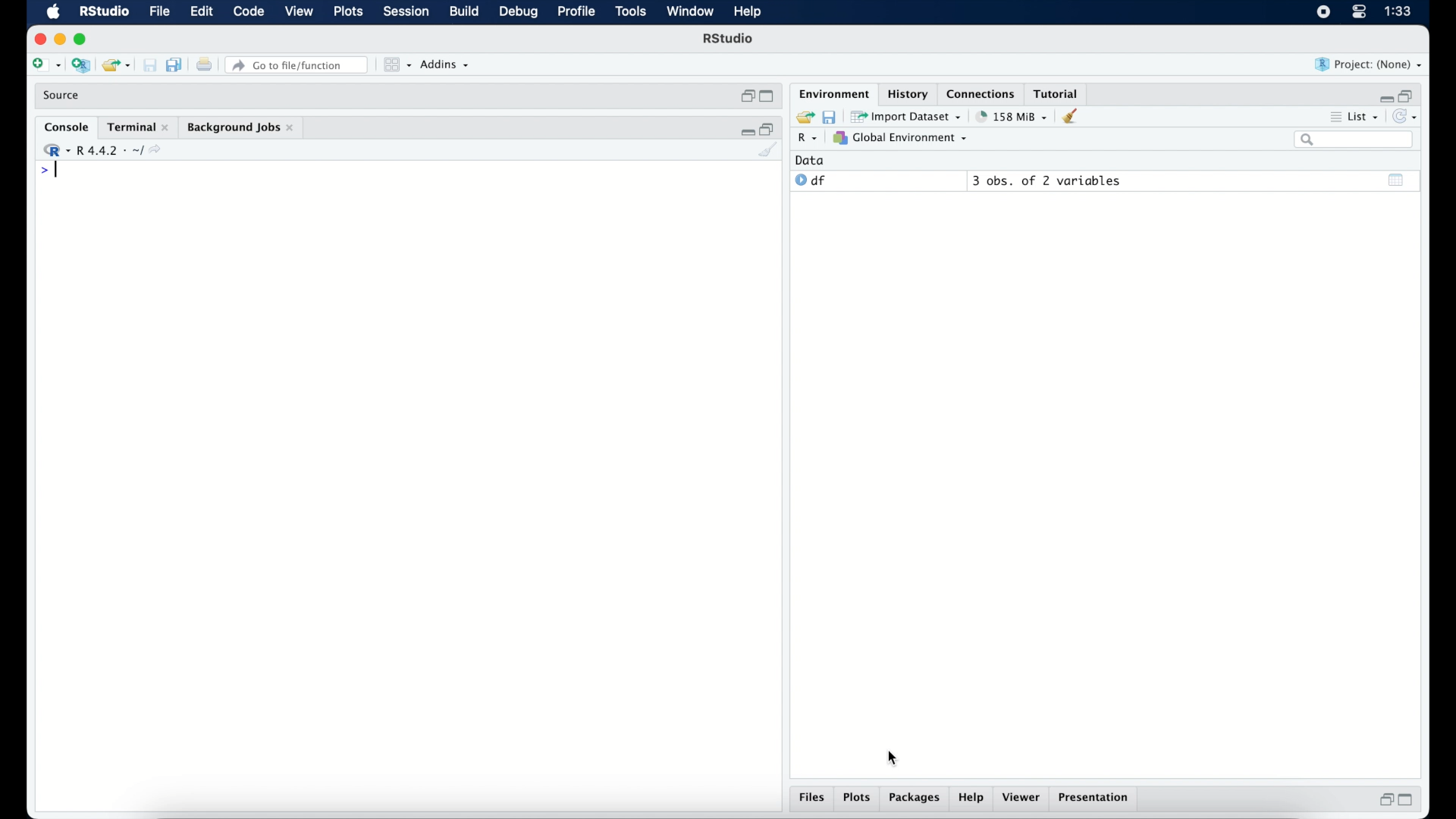 This screenshot has height=819, width=1456. I want to click on files, so click(810, 797).